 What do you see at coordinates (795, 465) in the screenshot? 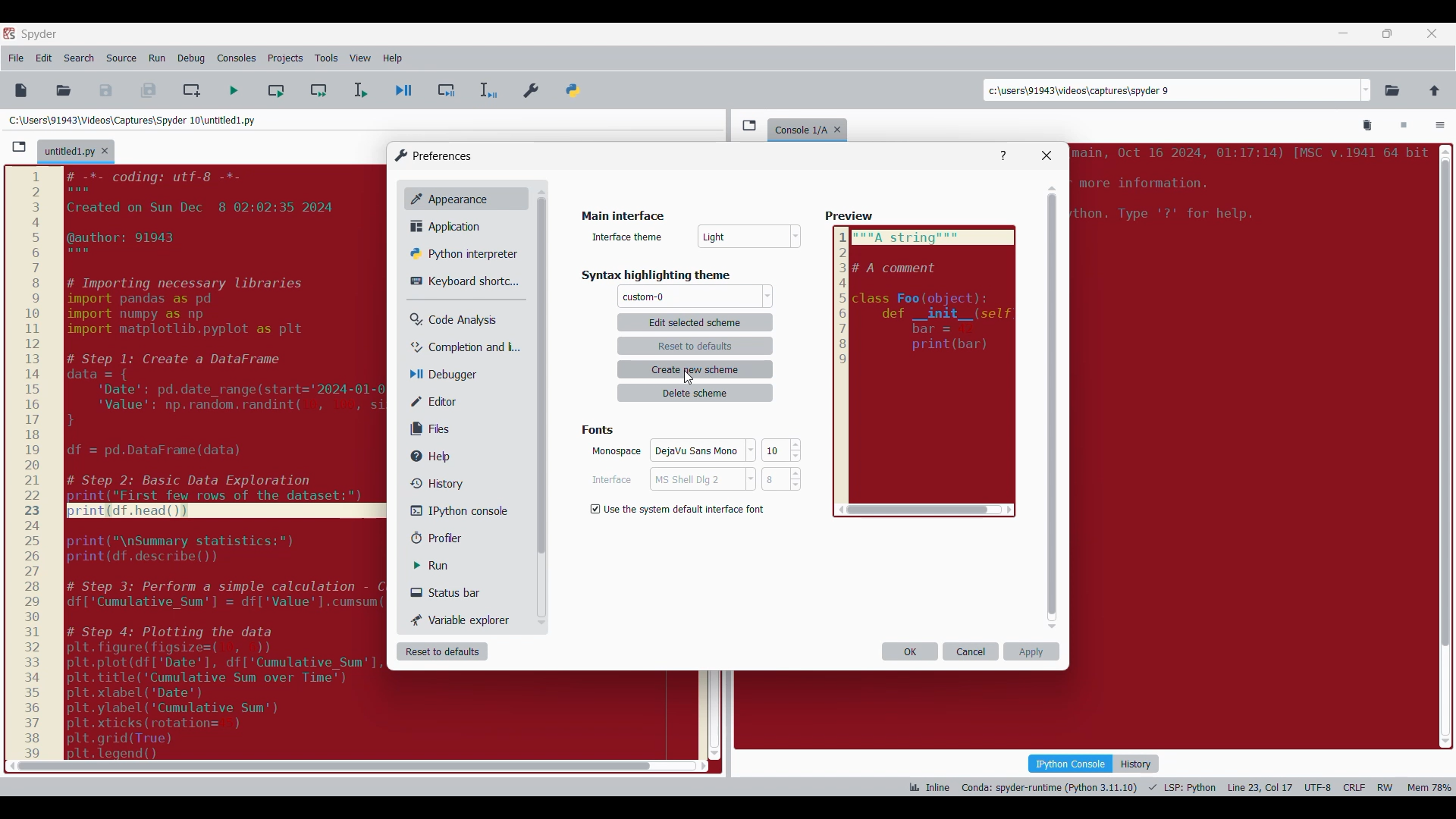
I see `Increase/Decrease fonts size` at bounding box center [795, 465].